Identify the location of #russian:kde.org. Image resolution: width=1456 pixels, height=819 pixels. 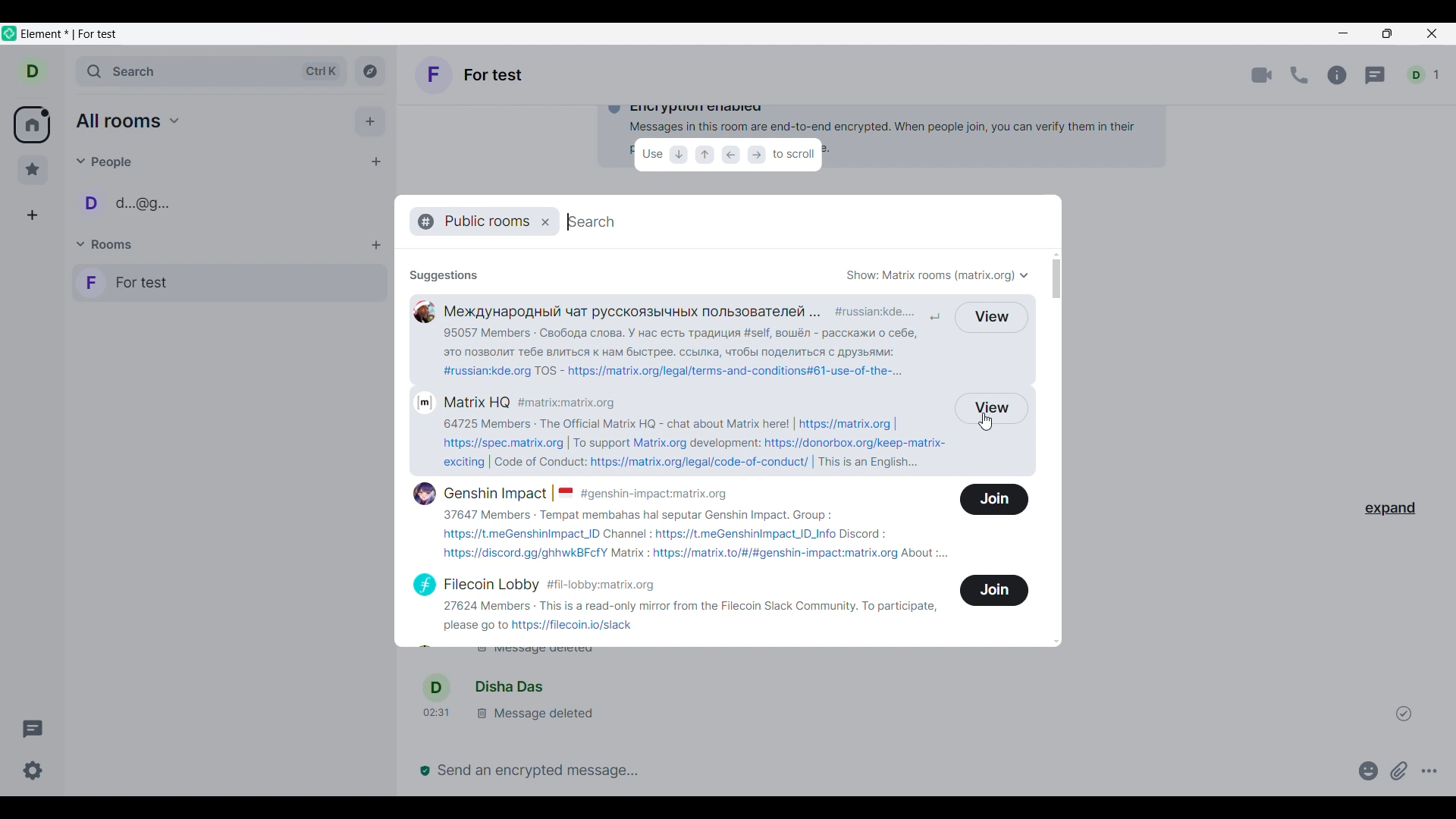
(482, 369).